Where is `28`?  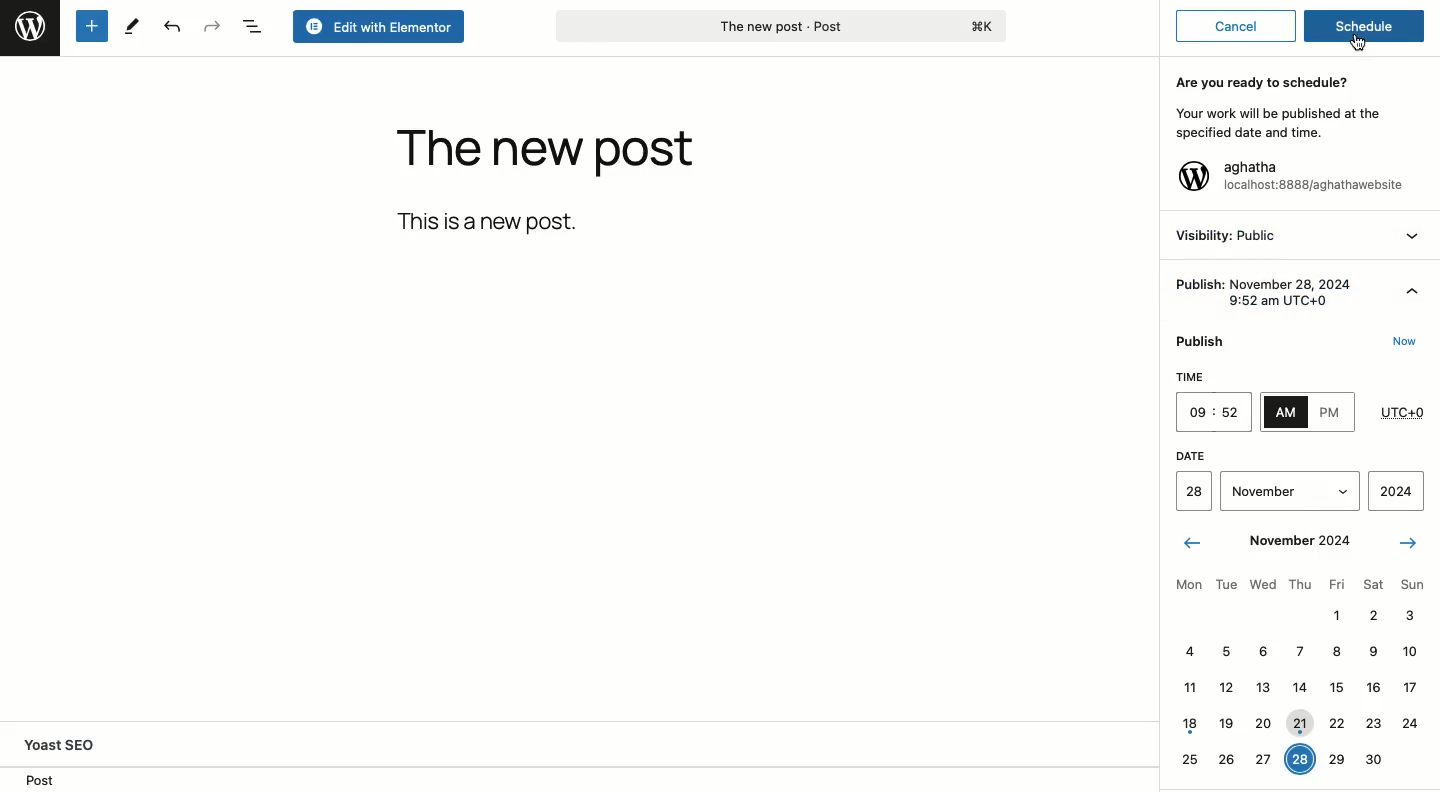 28 is located at coordinates (1194, 490).